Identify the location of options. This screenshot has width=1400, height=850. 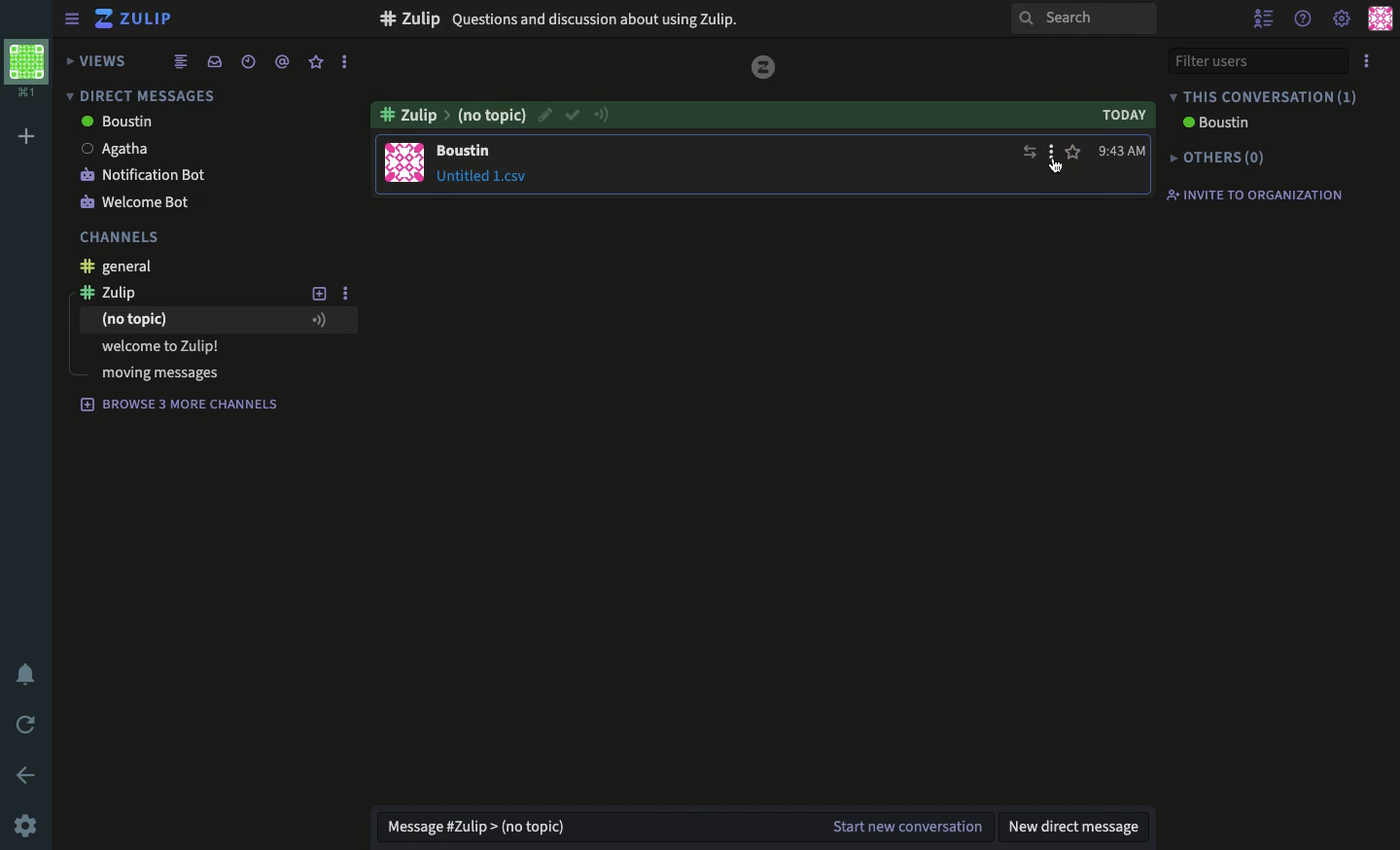
(1367, 62).